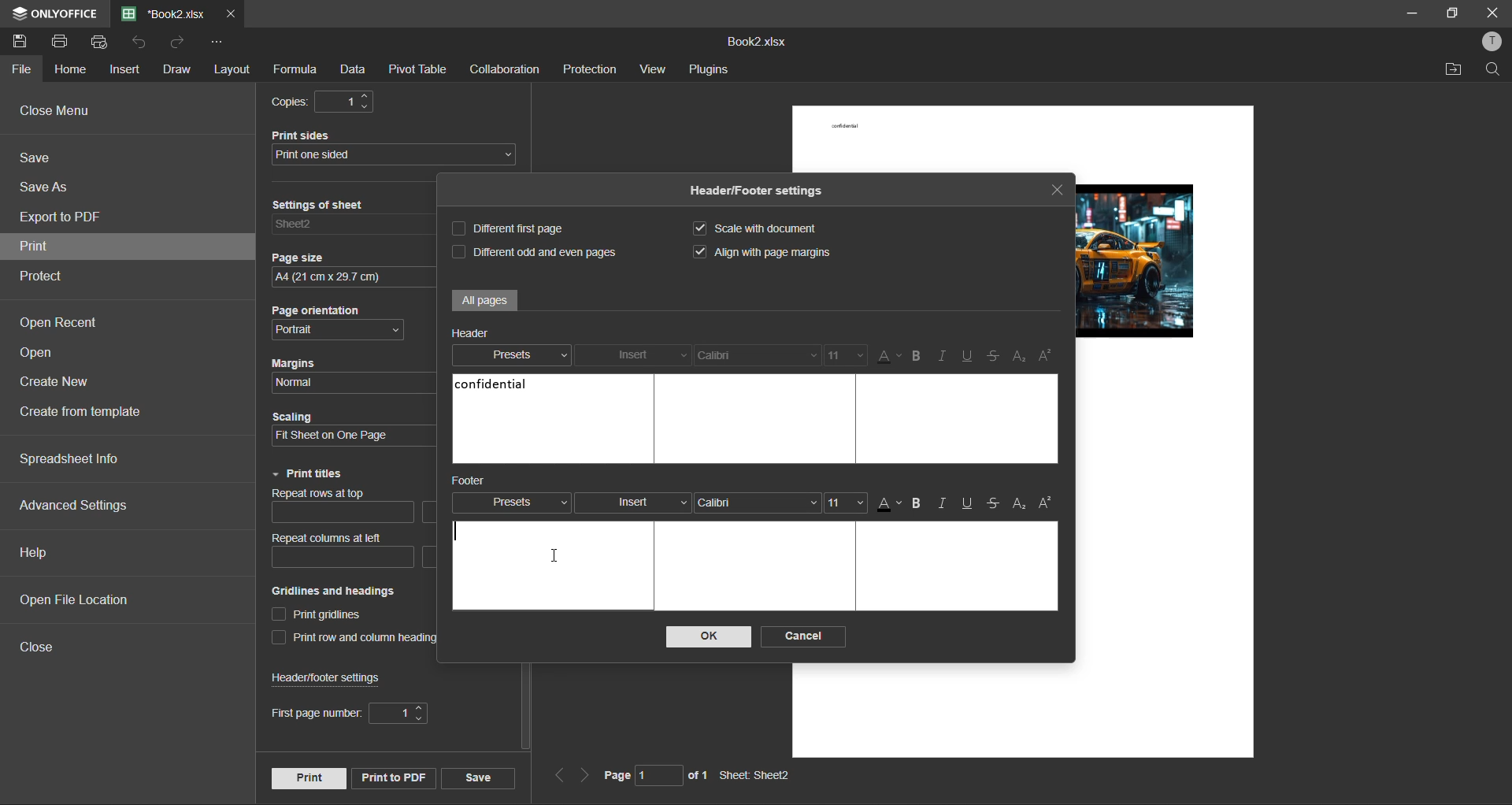  What do you see at coordinates (39, 553) in the screenshot?
I see `help` at bounding box center [39, 553].